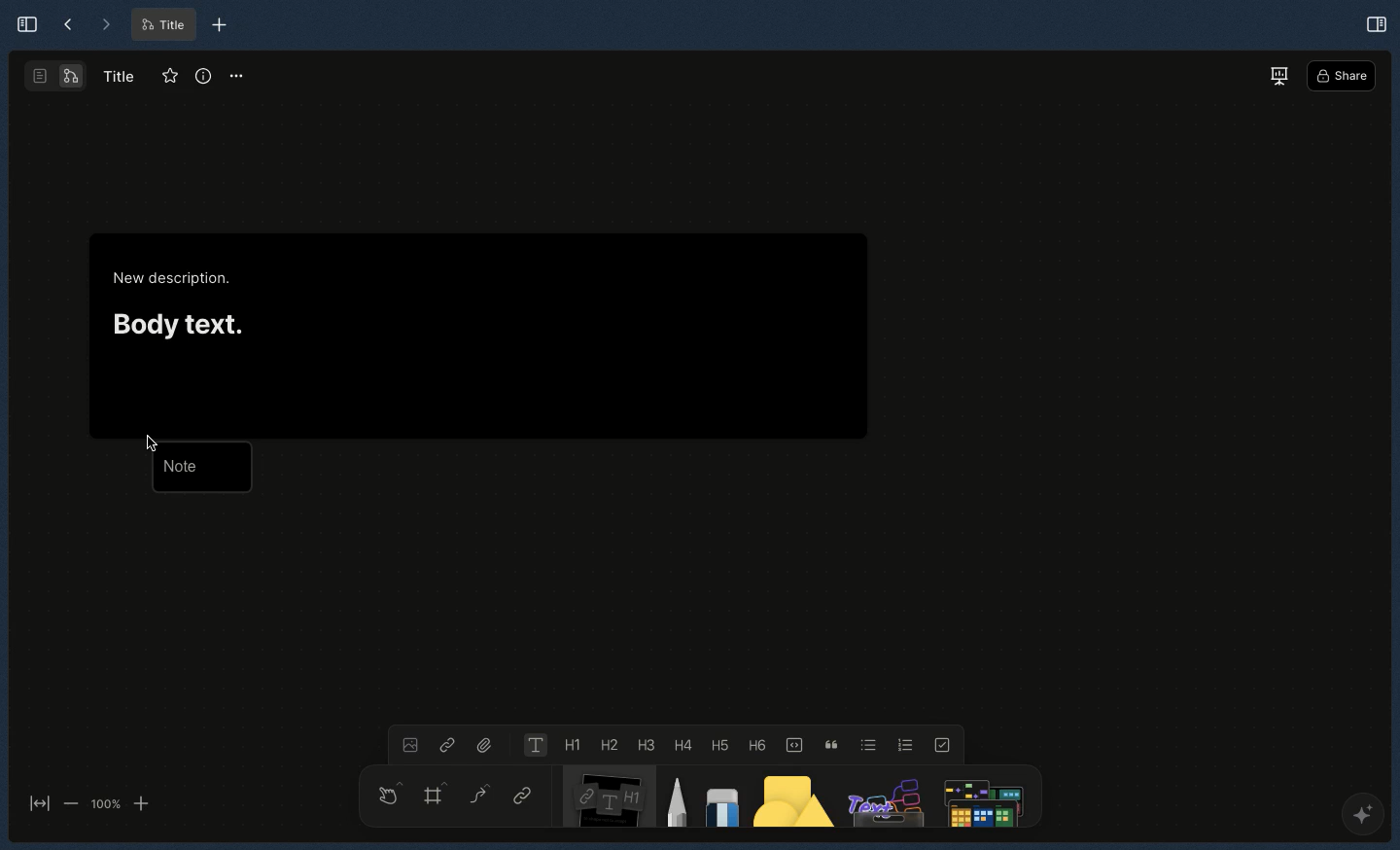  I want to click on zoom out, so click(70, 802).